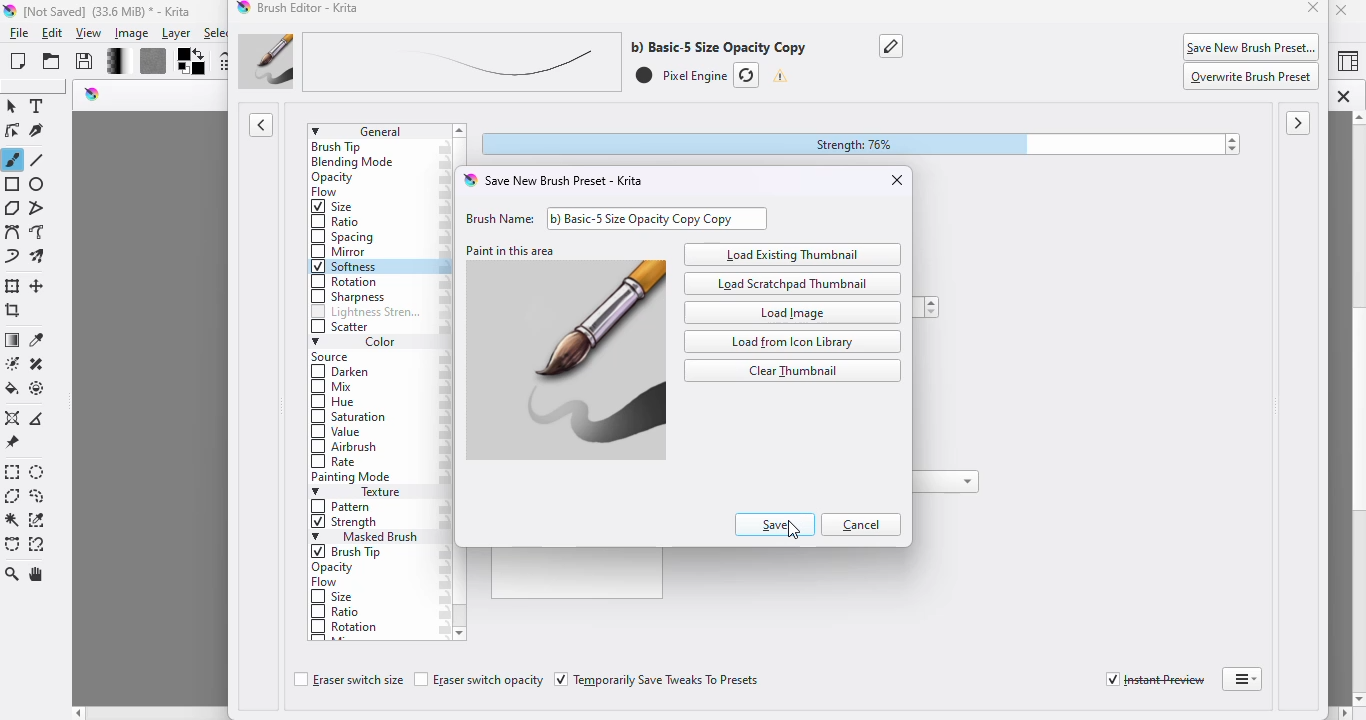 The width and height of the screenshot is (1366, 720). I want to click on text tool, so click(39, 106).